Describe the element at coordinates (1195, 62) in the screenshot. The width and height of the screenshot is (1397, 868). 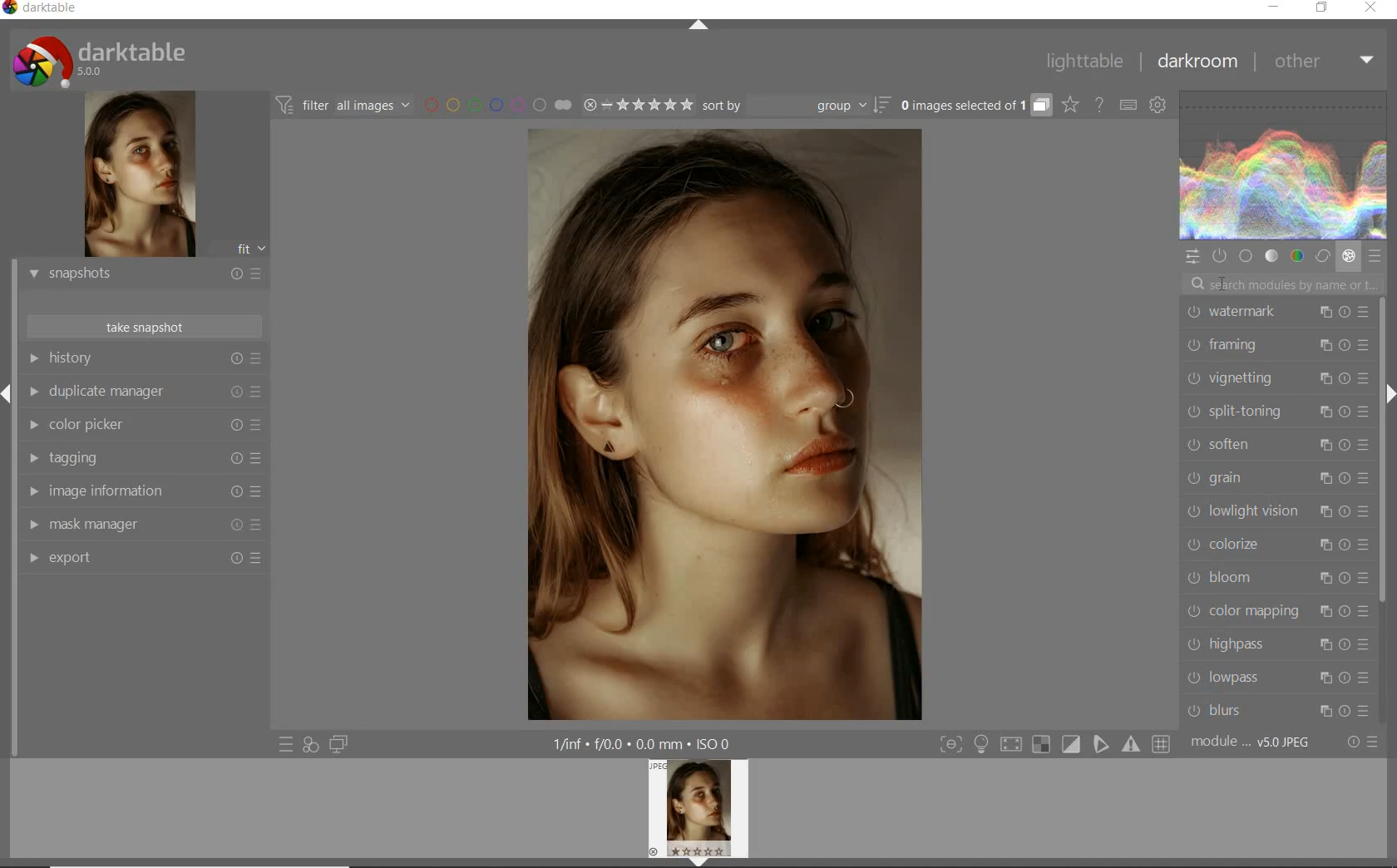
I see `darkroom` at that location.